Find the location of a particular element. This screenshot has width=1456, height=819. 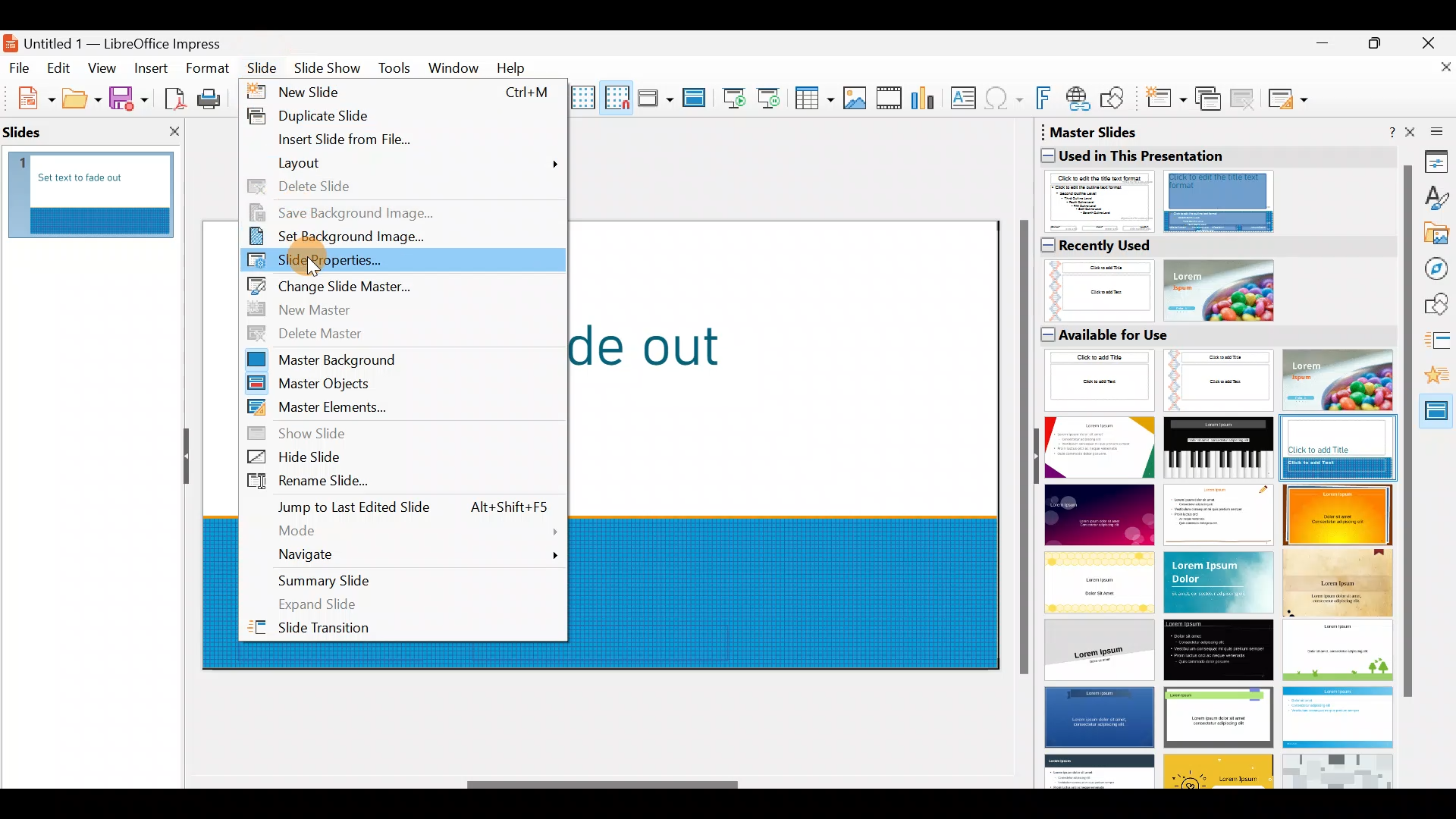

Tools is located at coordinates (396, 71).